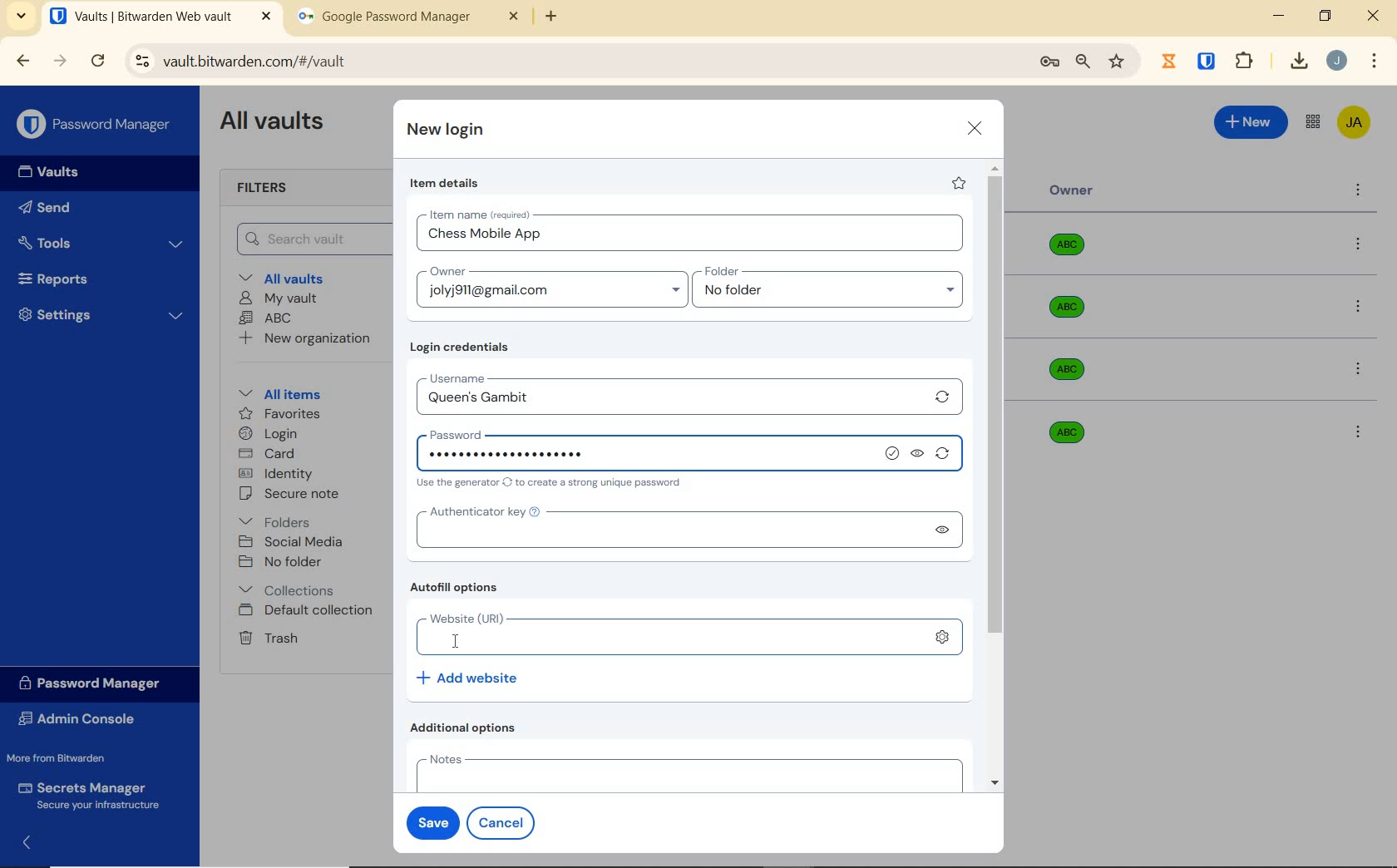  Describe the element at coordinates (665, 635) in the screenshot. I see `Website (URL)` at that location.